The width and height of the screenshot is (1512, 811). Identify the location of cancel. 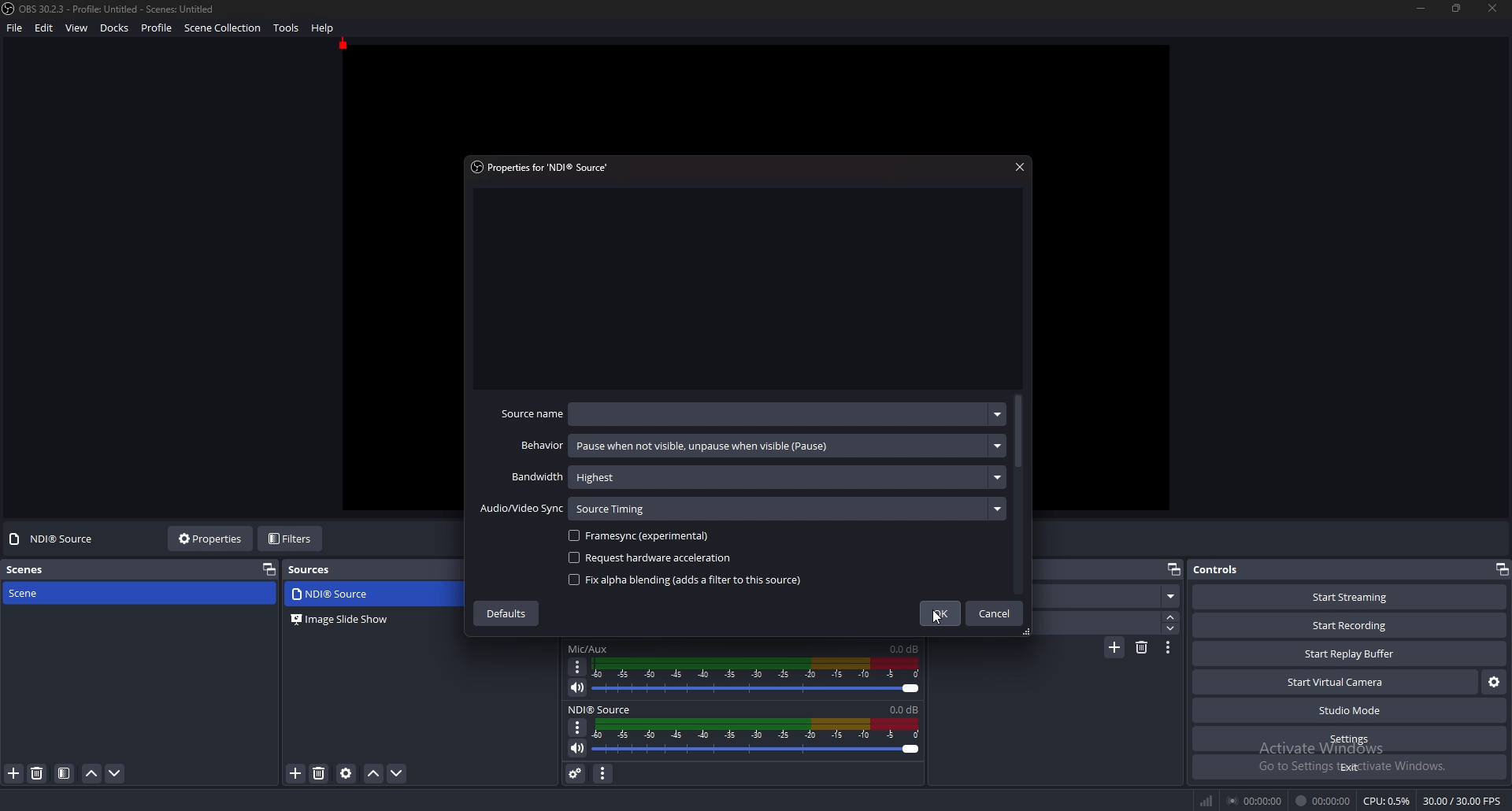
(996, 613).